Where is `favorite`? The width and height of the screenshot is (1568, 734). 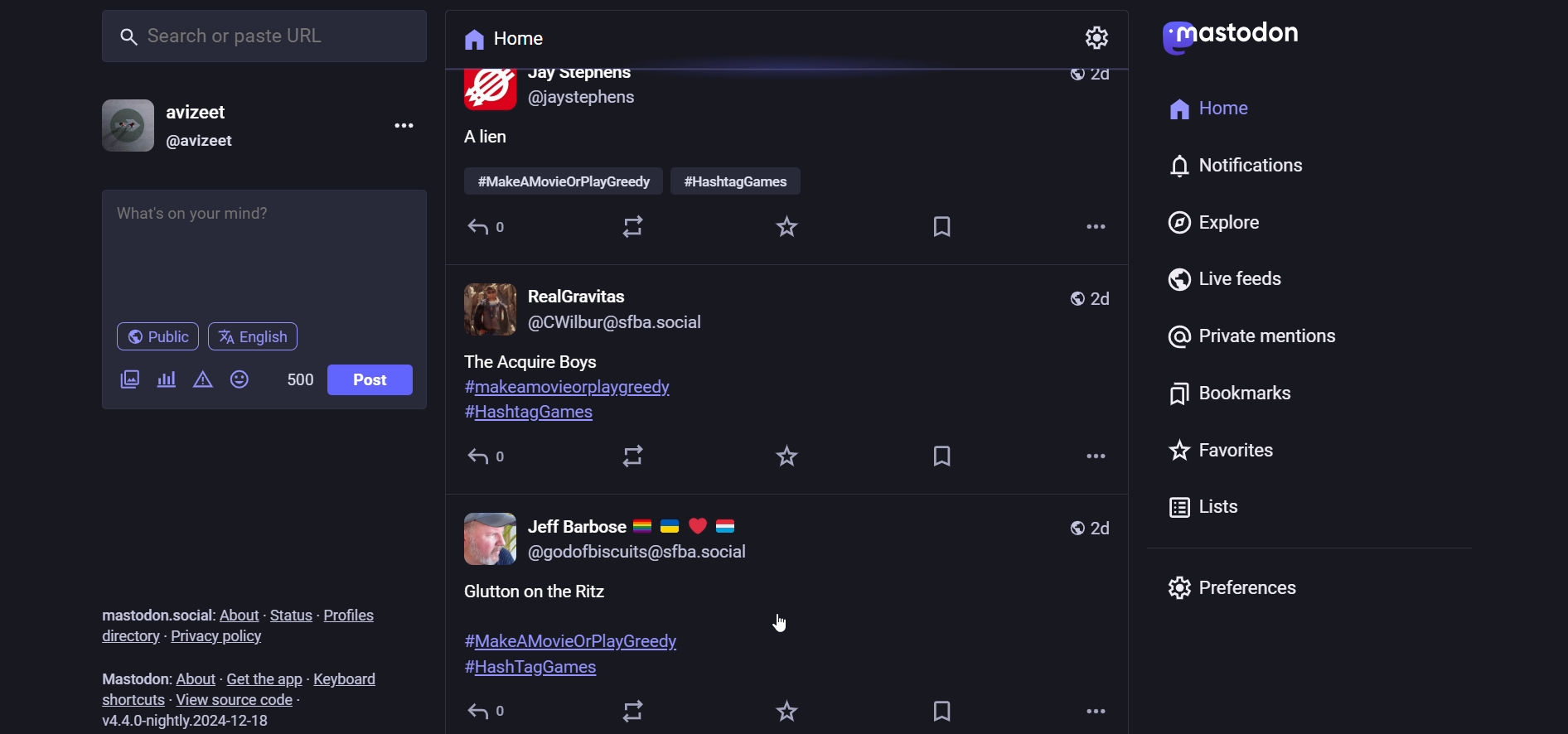 favorite is located at coordinates (787, 229).